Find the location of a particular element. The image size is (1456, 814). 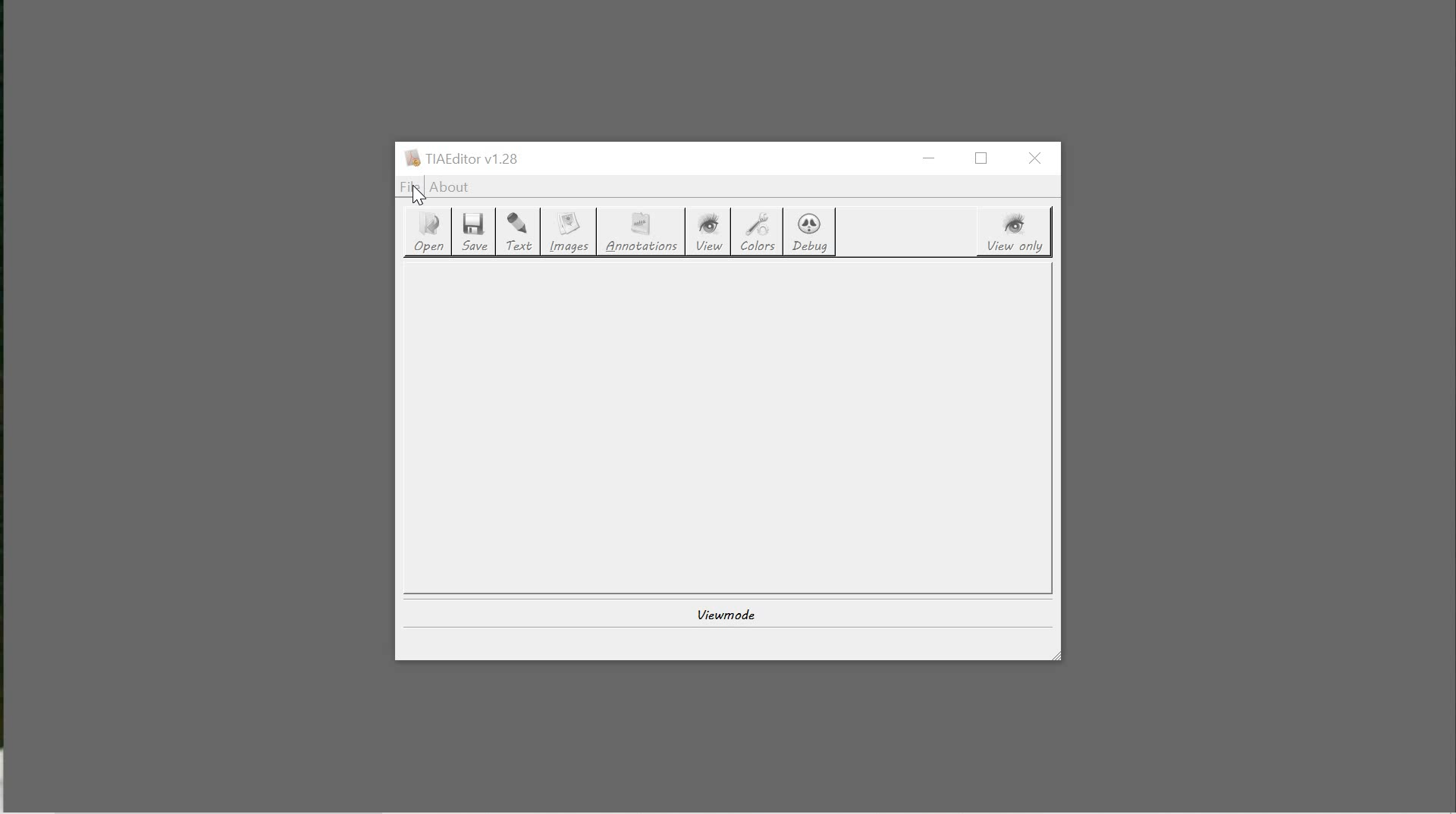

view mode is located at coordinates (723, 612).